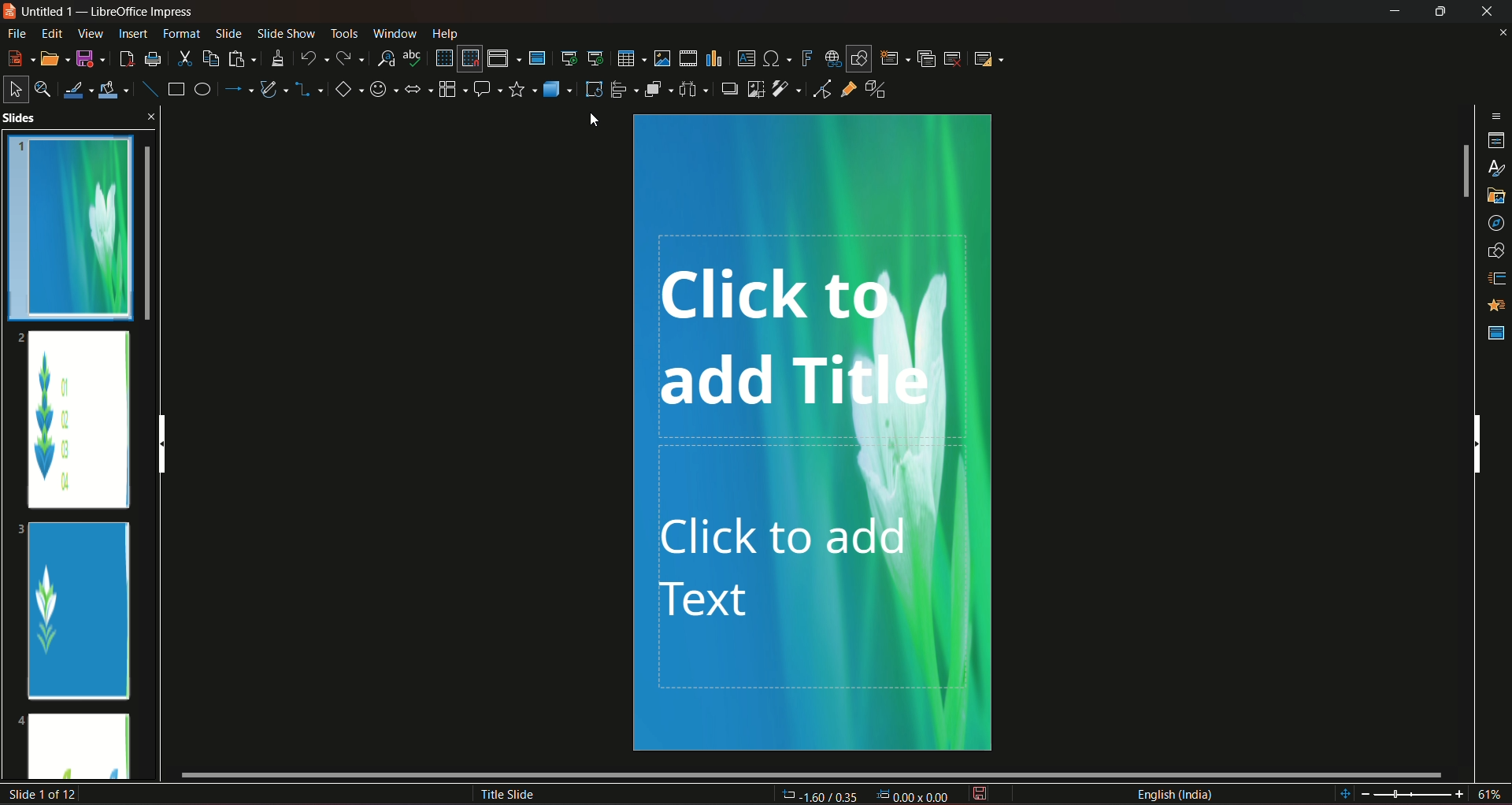  I want to click on master slide, so click(539, 57).